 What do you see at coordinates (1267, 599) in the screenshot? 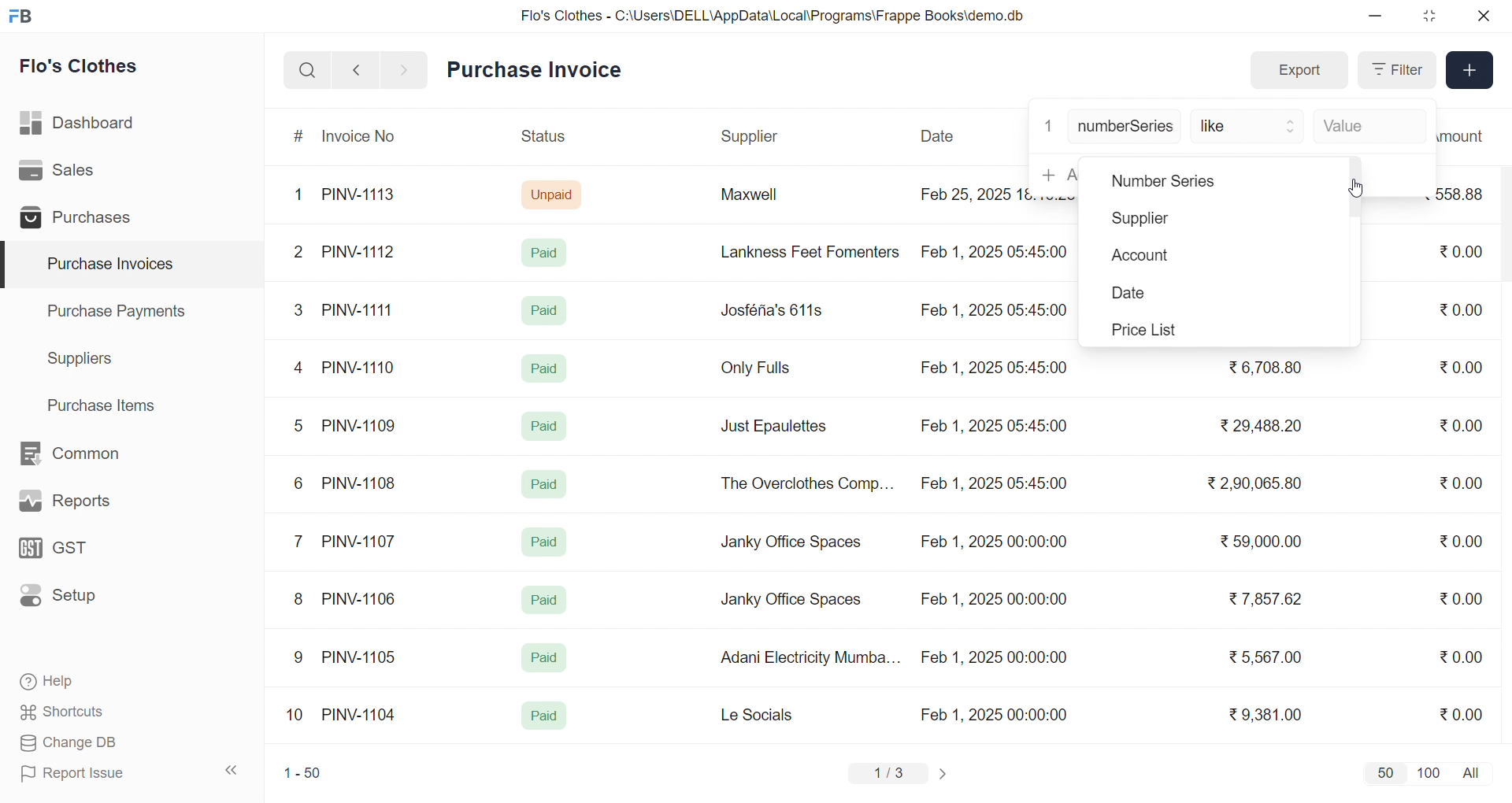
I see `₹ 7,857.62` at bounding box center [1267, 599].